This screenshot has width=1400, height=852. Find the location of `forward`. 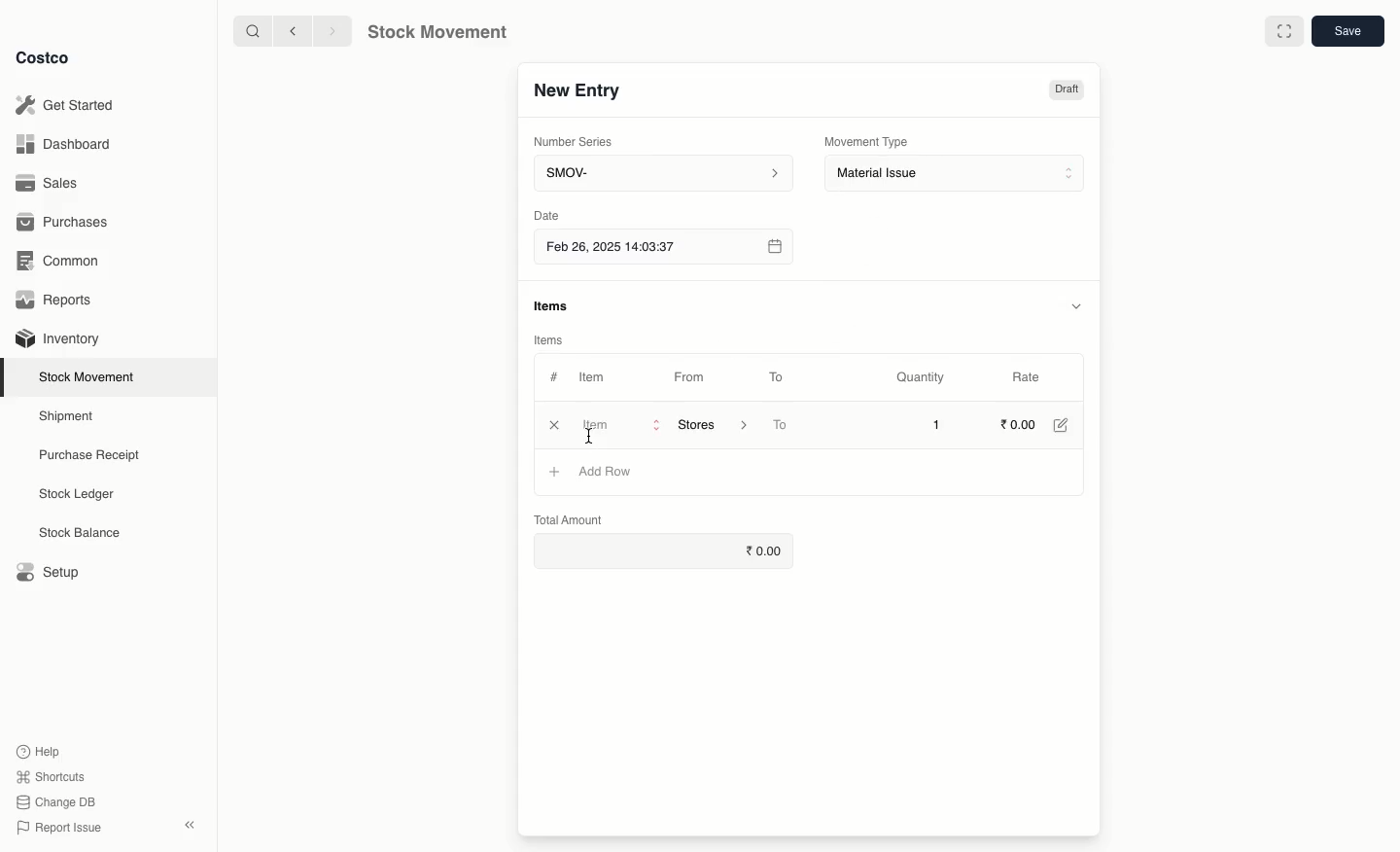

forward is located at coordinates (328, 30).